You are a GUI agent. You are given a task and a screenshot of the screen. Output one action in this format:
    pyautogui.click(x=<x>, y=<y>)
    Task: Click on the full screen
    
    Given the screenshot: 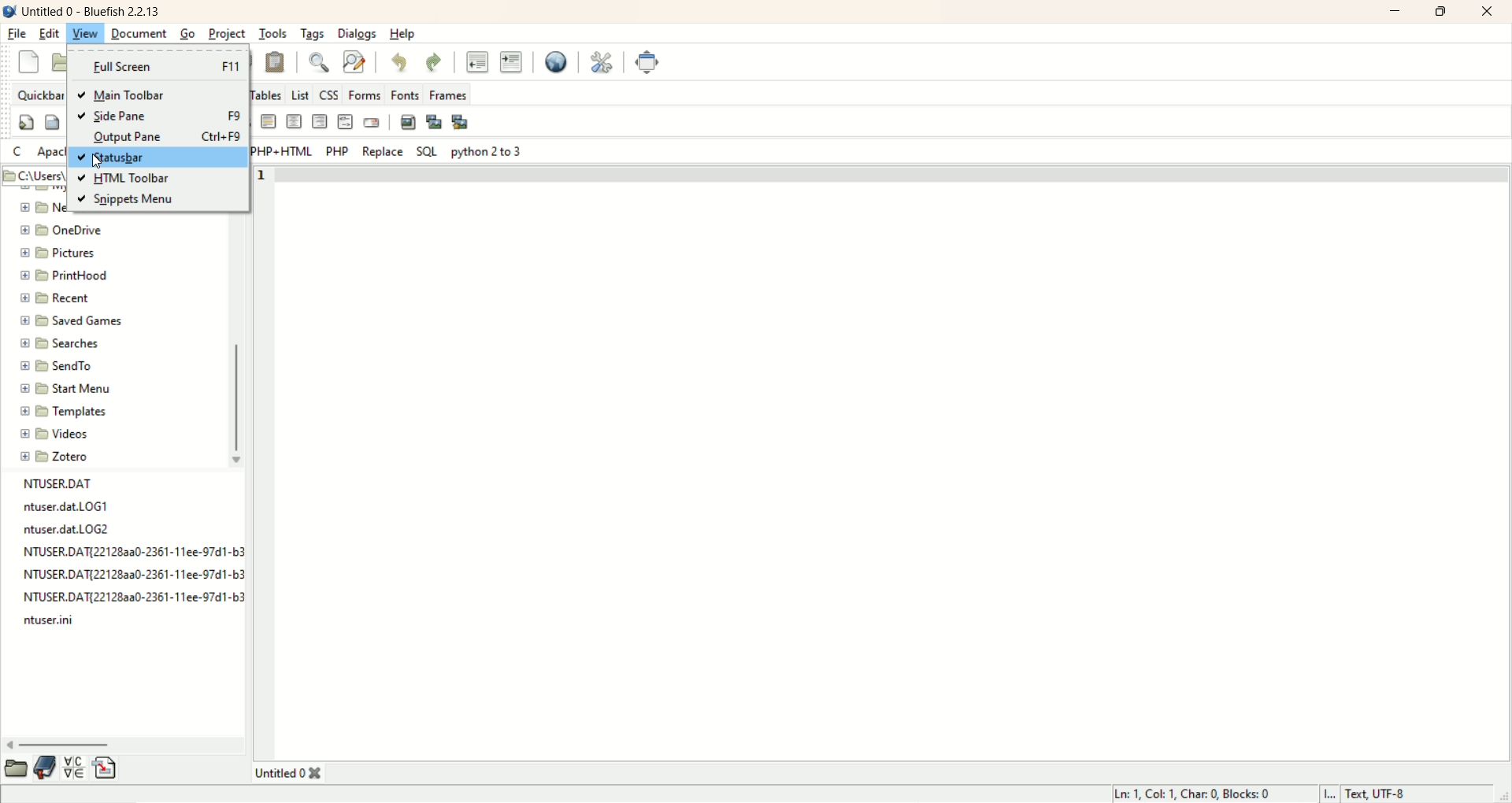 What is the action you would take?
    pyautogui.click(x=159, y=67)
    